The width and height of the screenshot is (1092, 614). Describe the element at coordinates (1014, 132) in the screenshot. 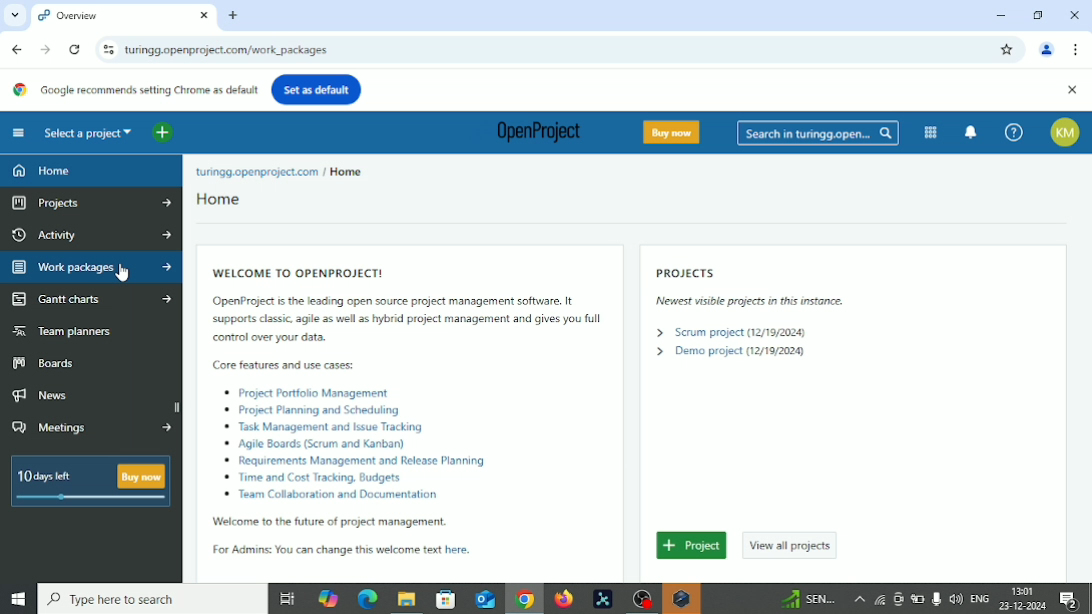

I see `Help` at that location.